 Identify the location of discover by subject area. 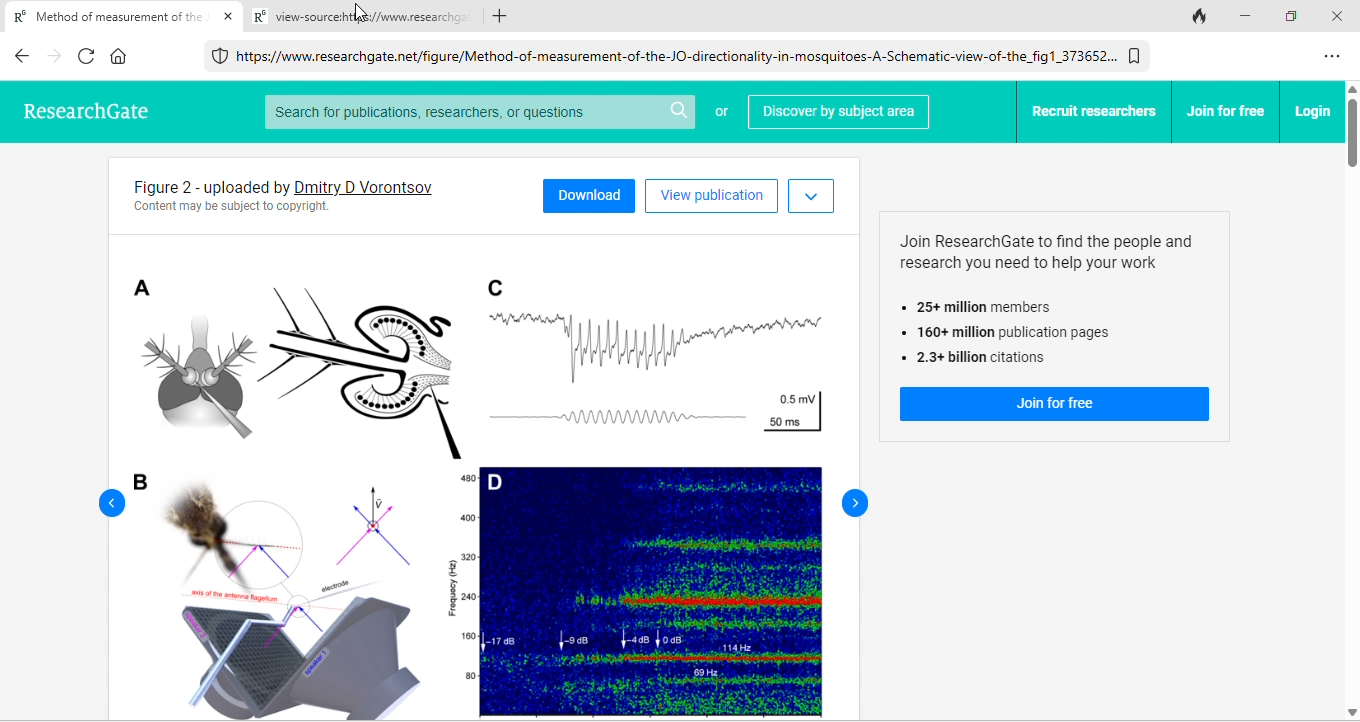
(839, 111).